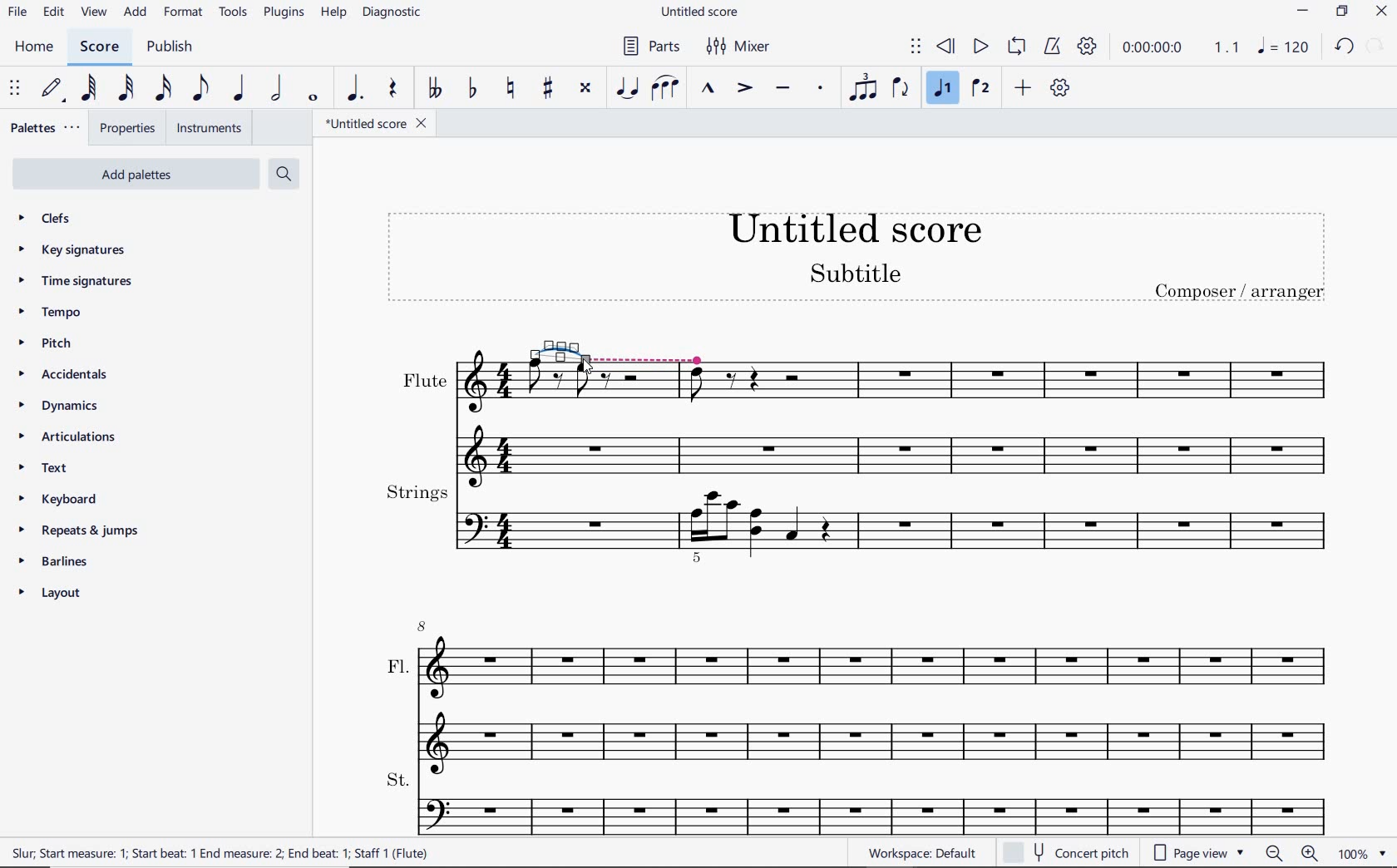  I want to click on STACCATO, so click(821, 89).